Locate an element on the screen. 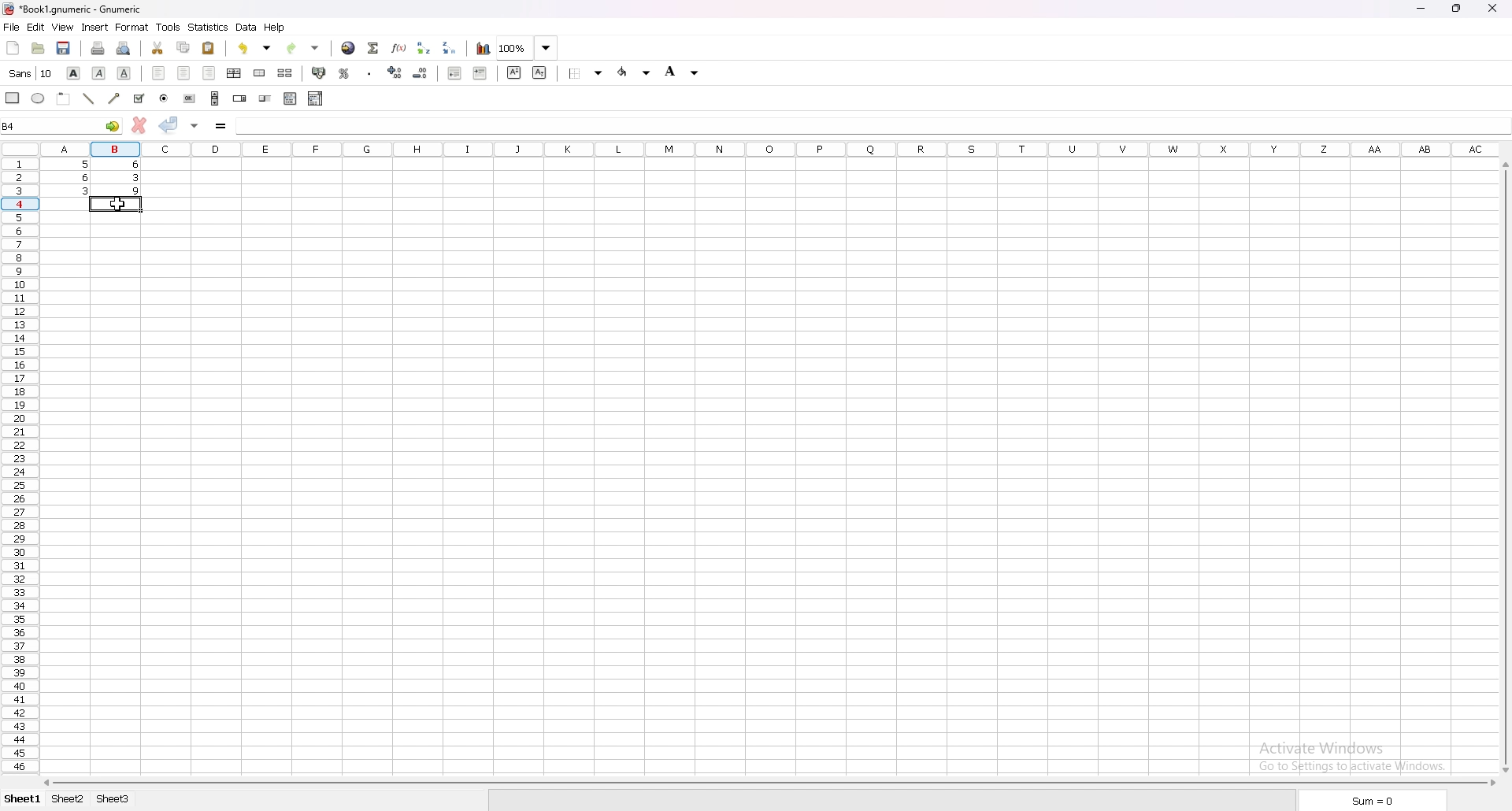  data is located at coordinates (94, 178).